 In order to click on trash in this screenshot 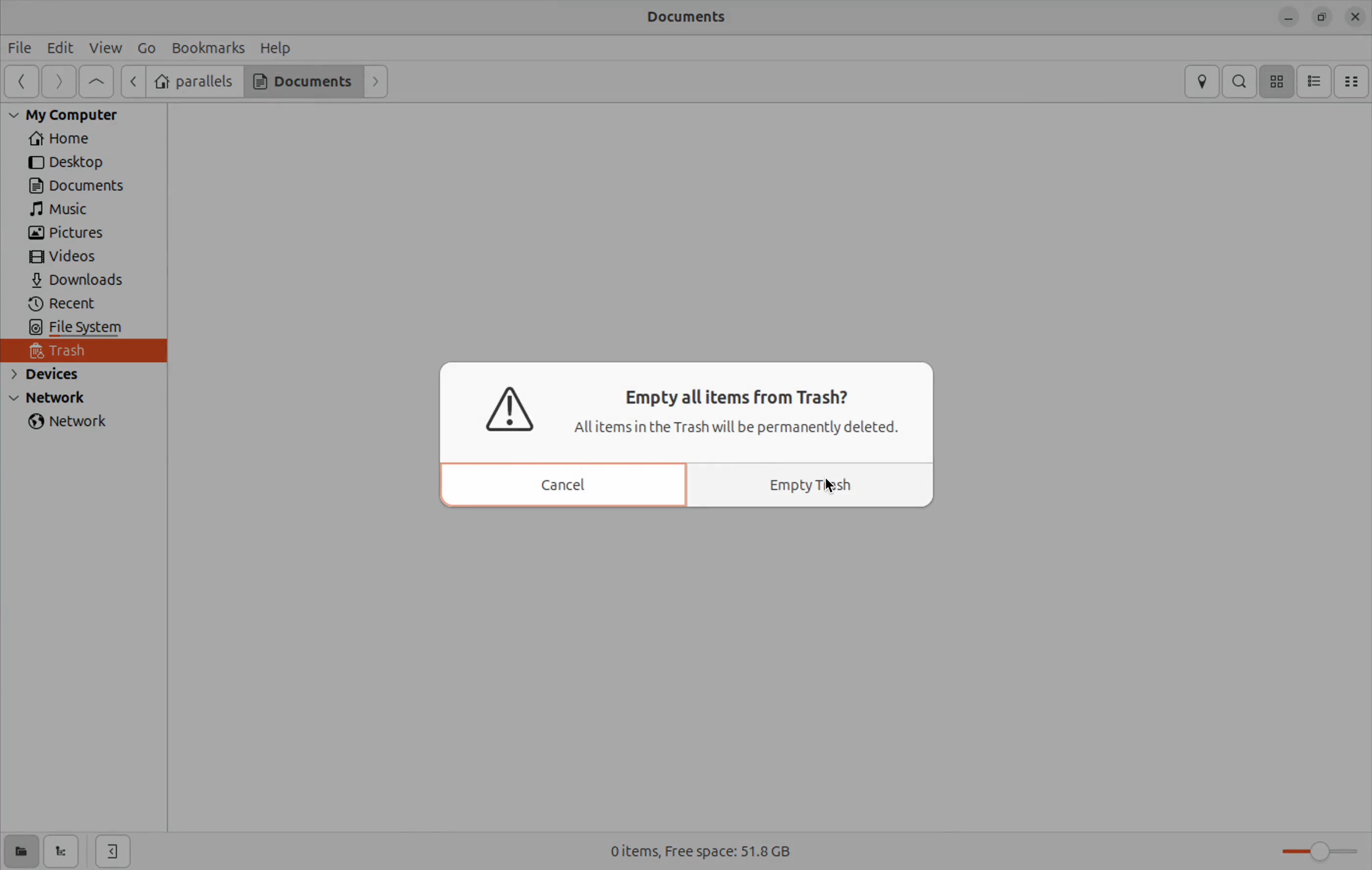, I will do `click(76, 350)`.